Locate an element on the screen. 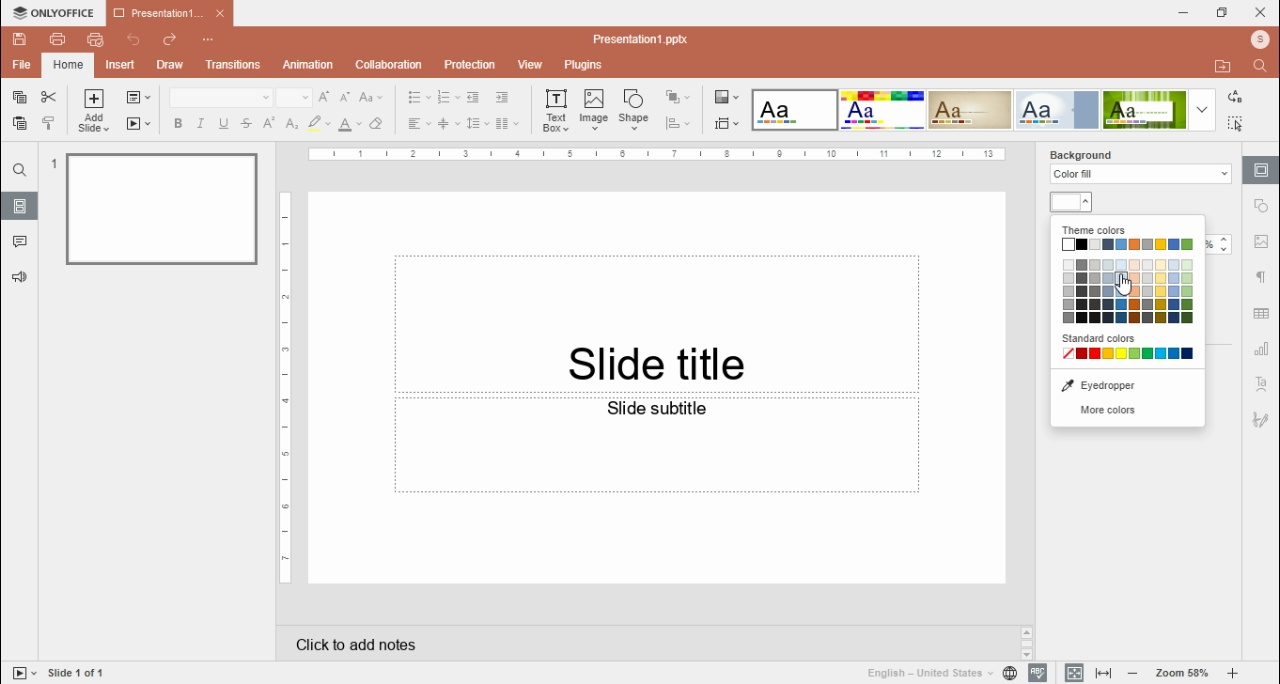 This screenshot has width=1280, height=684. draw is located at coordinates (169, 65).